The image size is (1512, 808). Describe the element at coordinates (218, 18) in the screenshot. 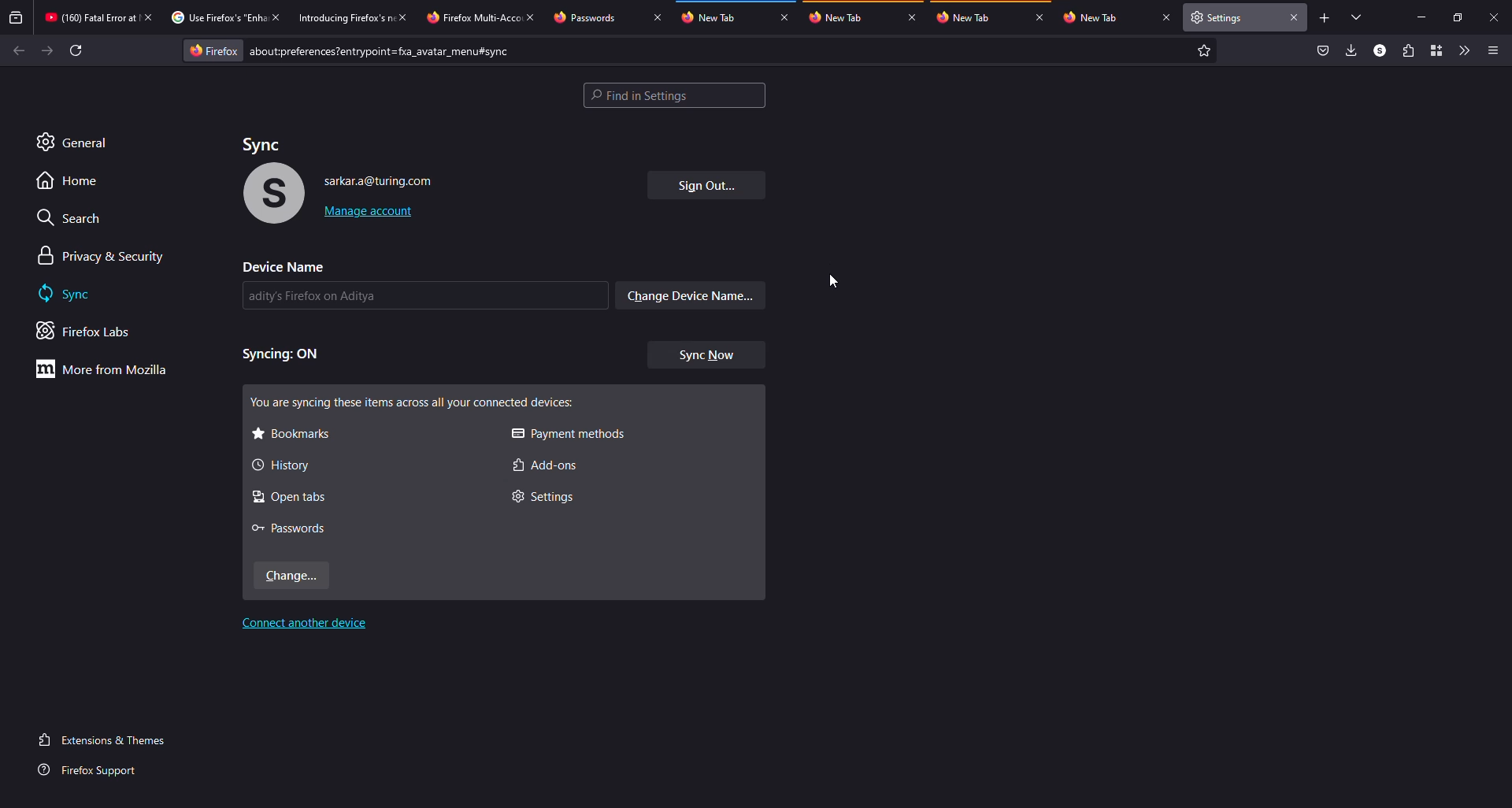

I see `tab` at that location.